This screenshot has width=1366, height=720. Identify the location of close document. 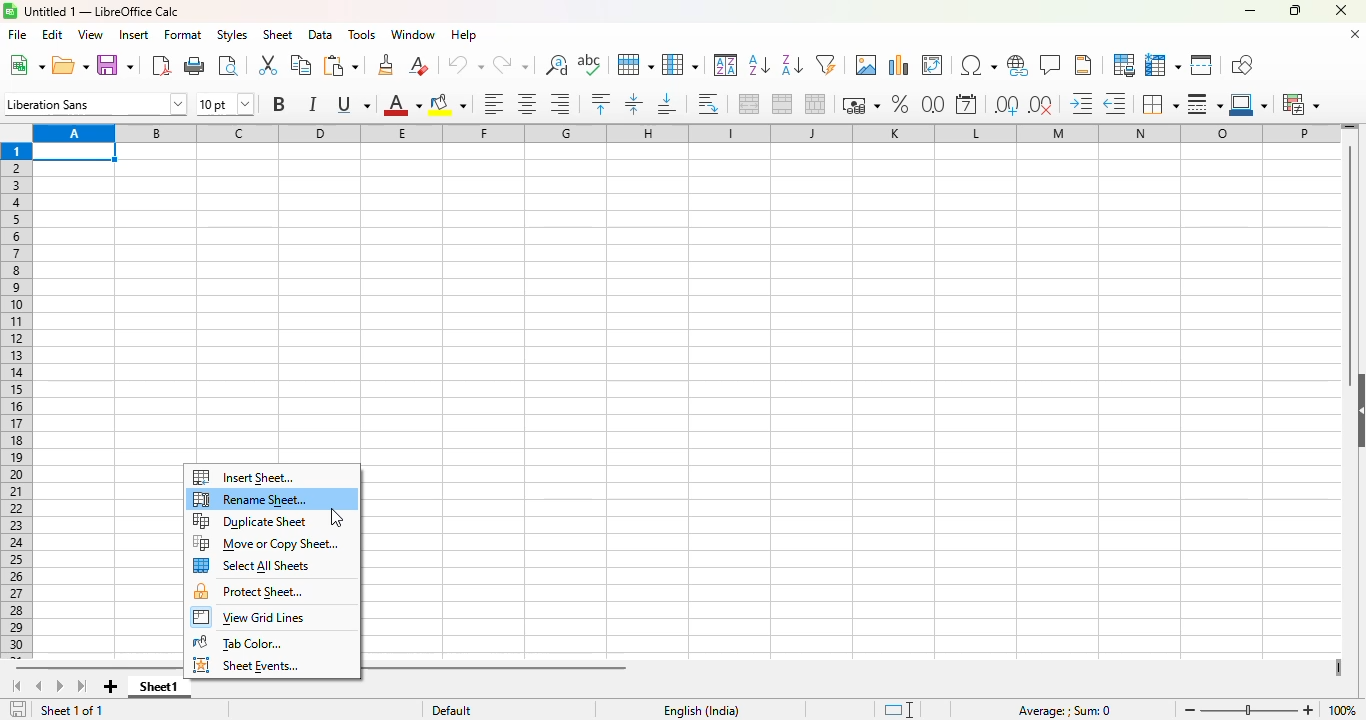
(1354, 34).